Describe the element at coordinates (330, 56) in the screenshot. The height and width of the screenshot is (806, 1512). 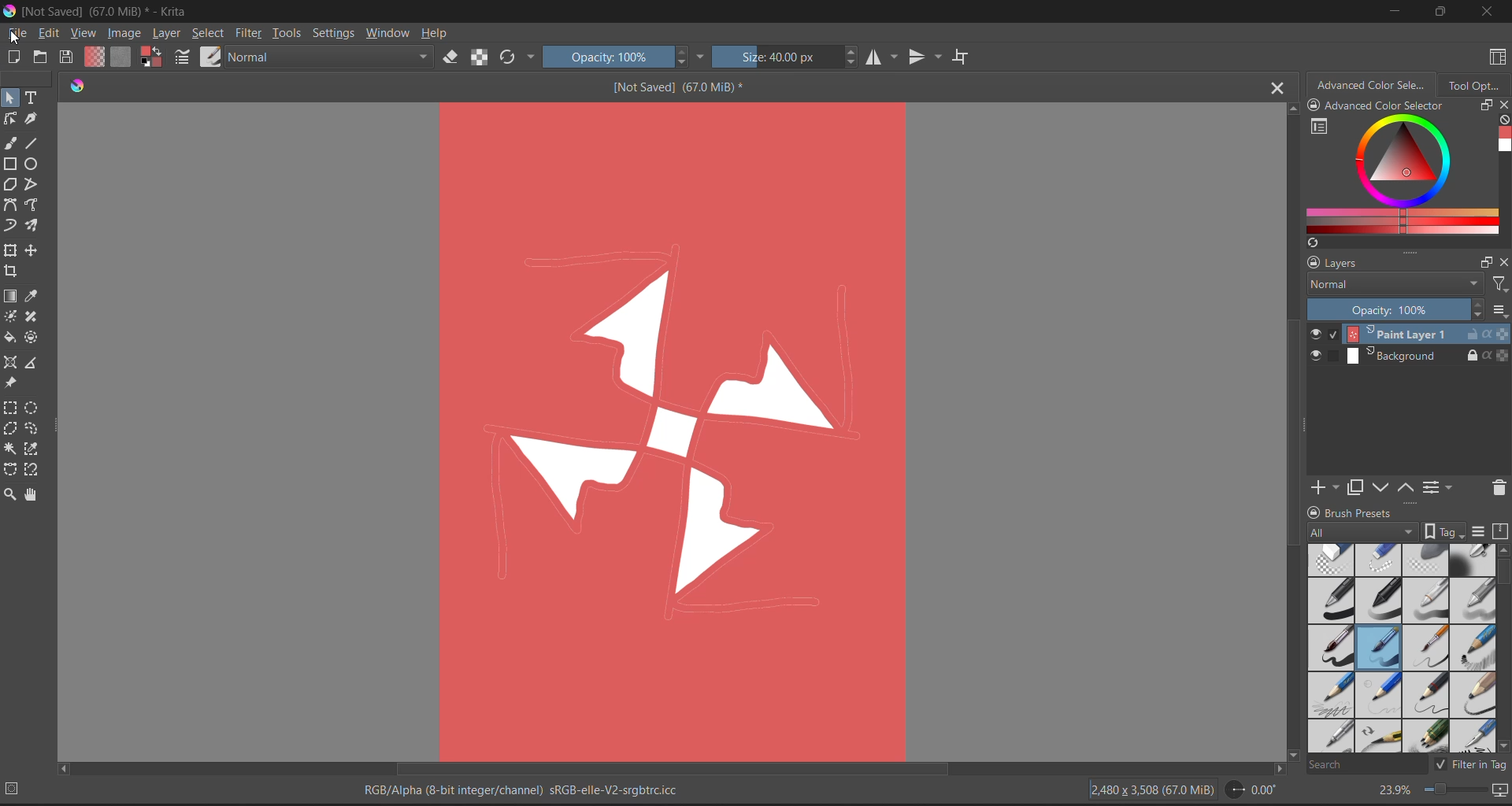
I see `normal` at that location.